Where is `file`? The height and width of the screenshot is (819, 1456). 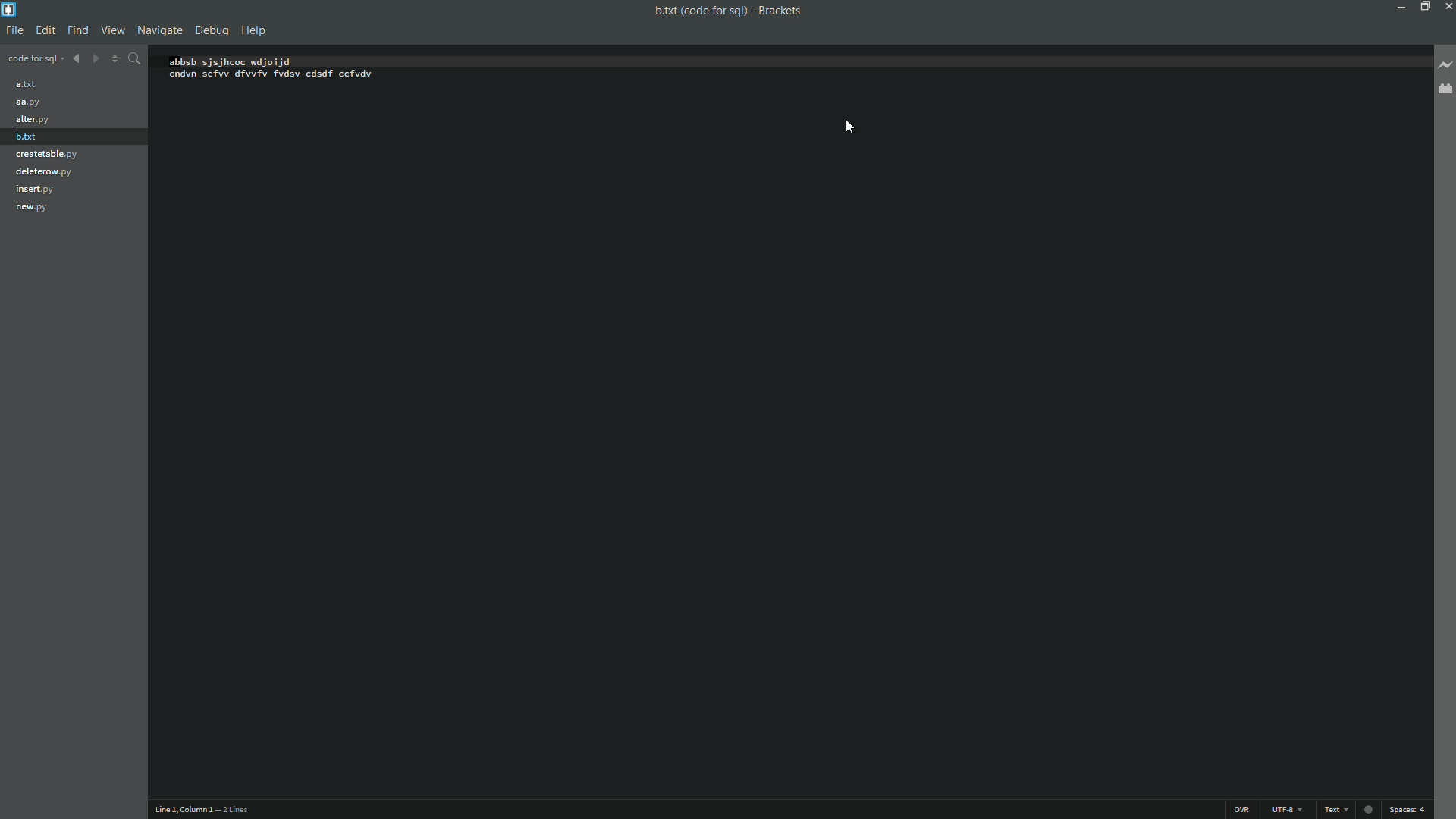
file is located at coordinates (14, 31).